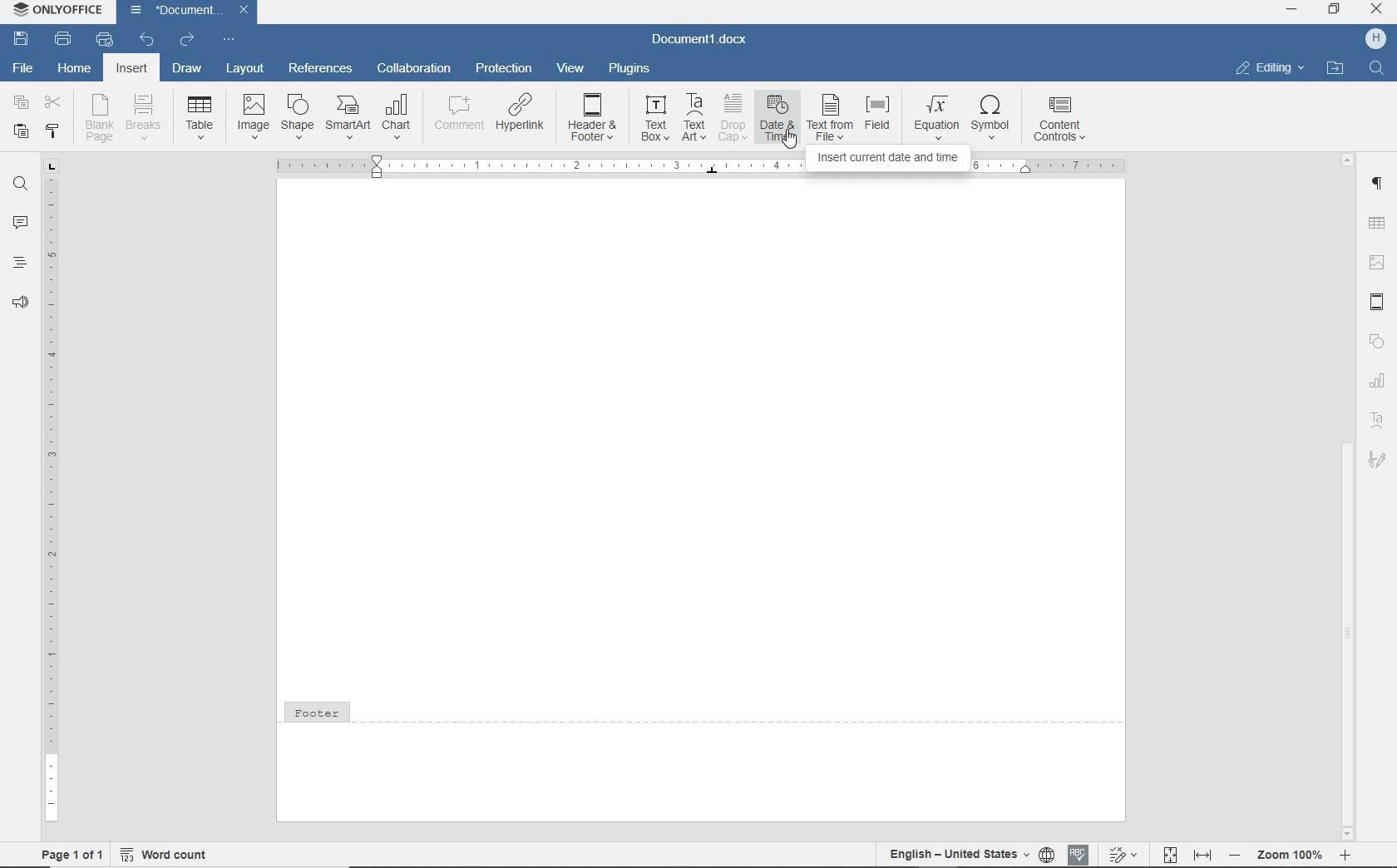  Describe the element at coordinates (1378, 382) in the screenshot. I see `chart` at that location.